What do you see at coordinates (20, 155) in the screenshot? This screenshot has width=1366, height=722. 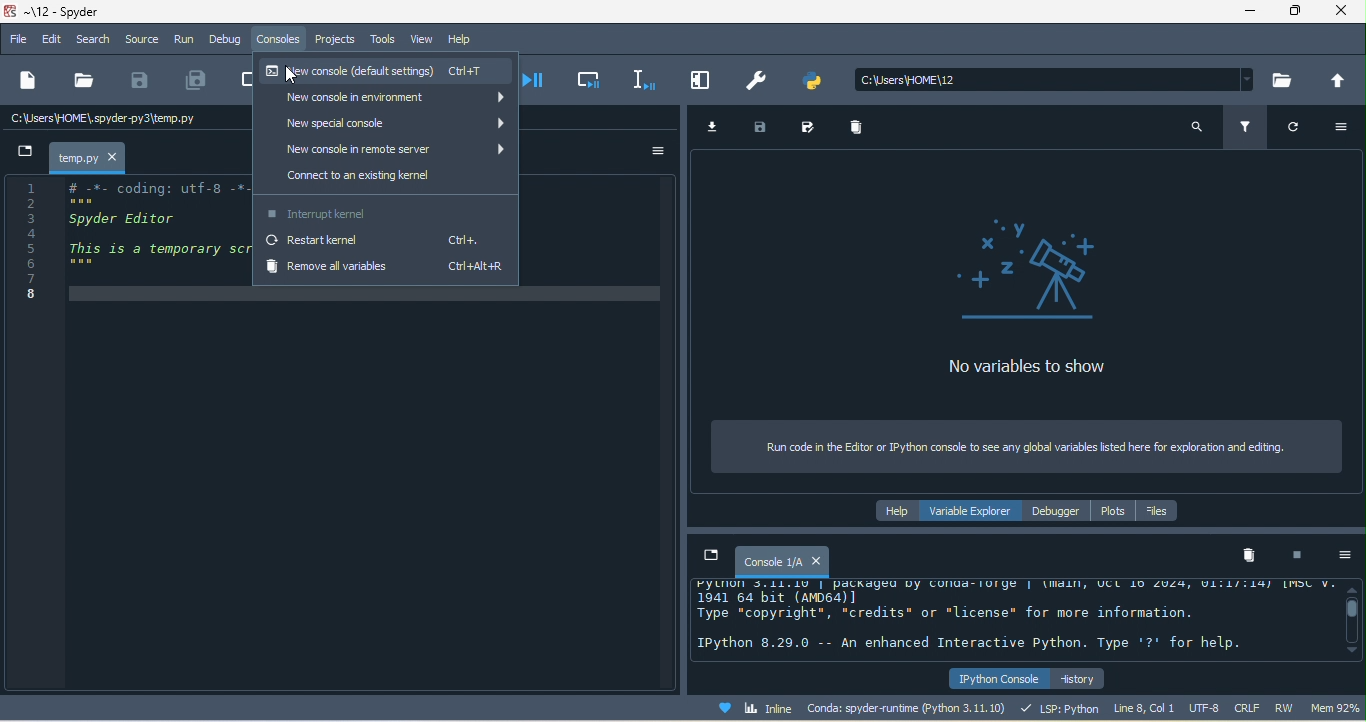 I see `browse tabs` at bounding box center [20, 155].